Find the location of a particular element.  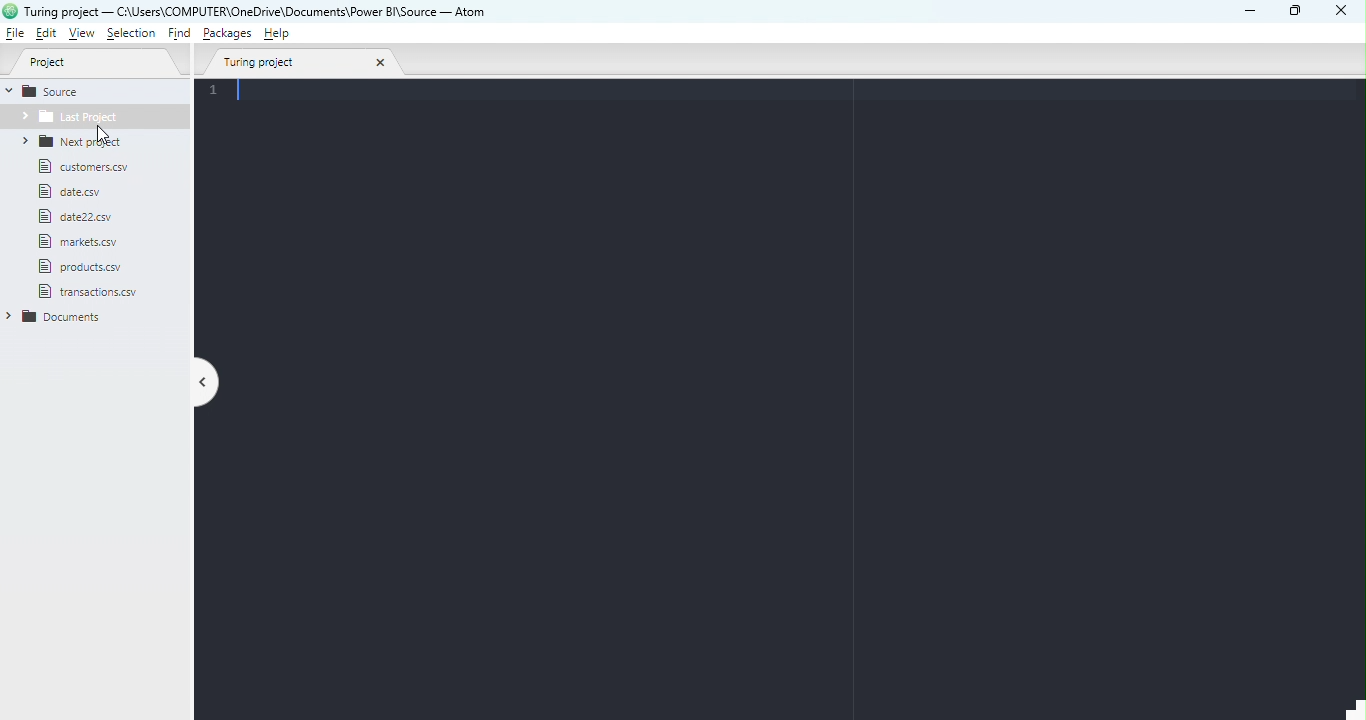

View is located at coordinates (78, 34).